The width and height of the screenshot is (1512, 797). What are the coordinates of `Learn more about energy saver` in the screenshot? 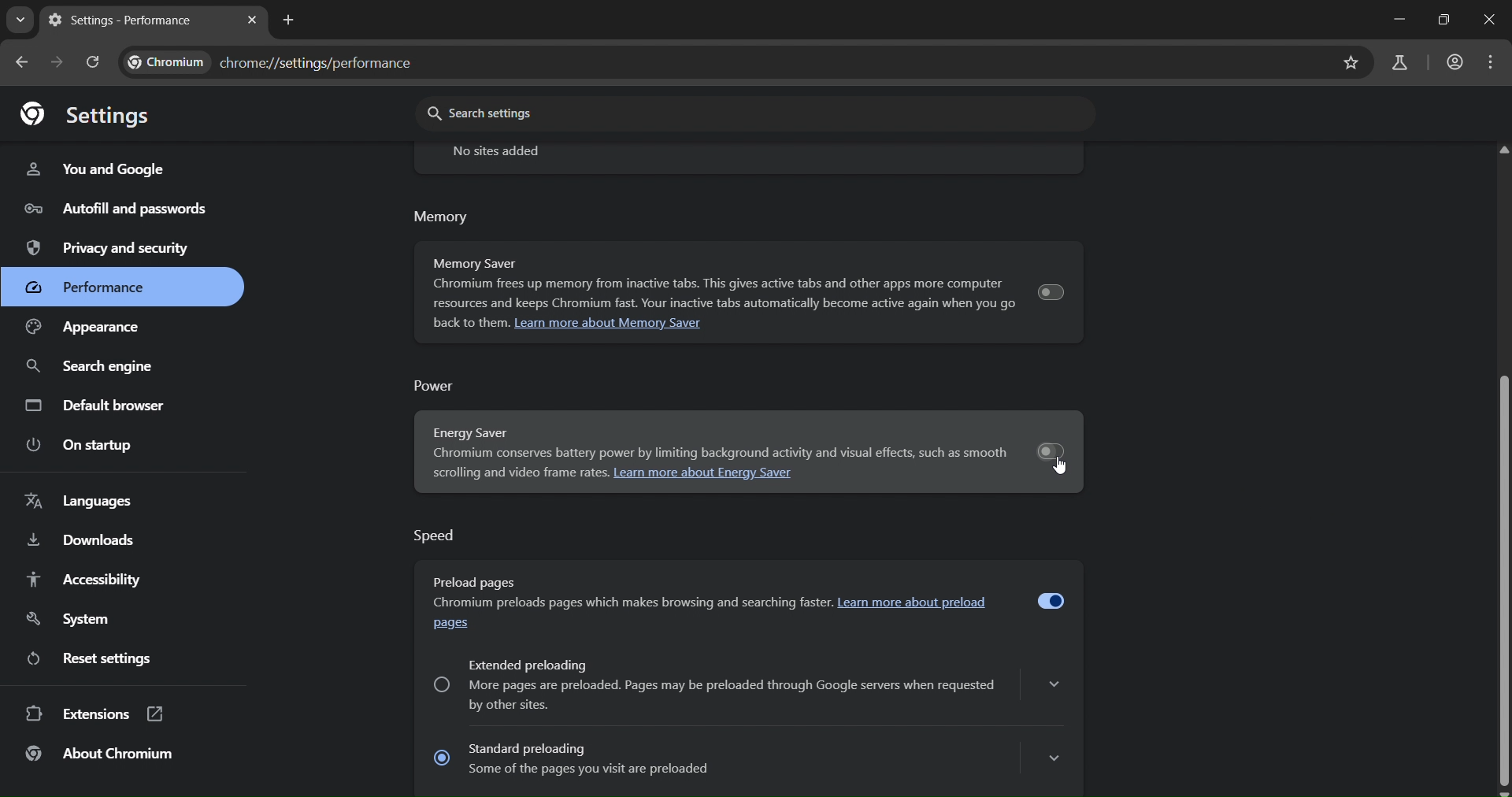 It's located at (708, 473).